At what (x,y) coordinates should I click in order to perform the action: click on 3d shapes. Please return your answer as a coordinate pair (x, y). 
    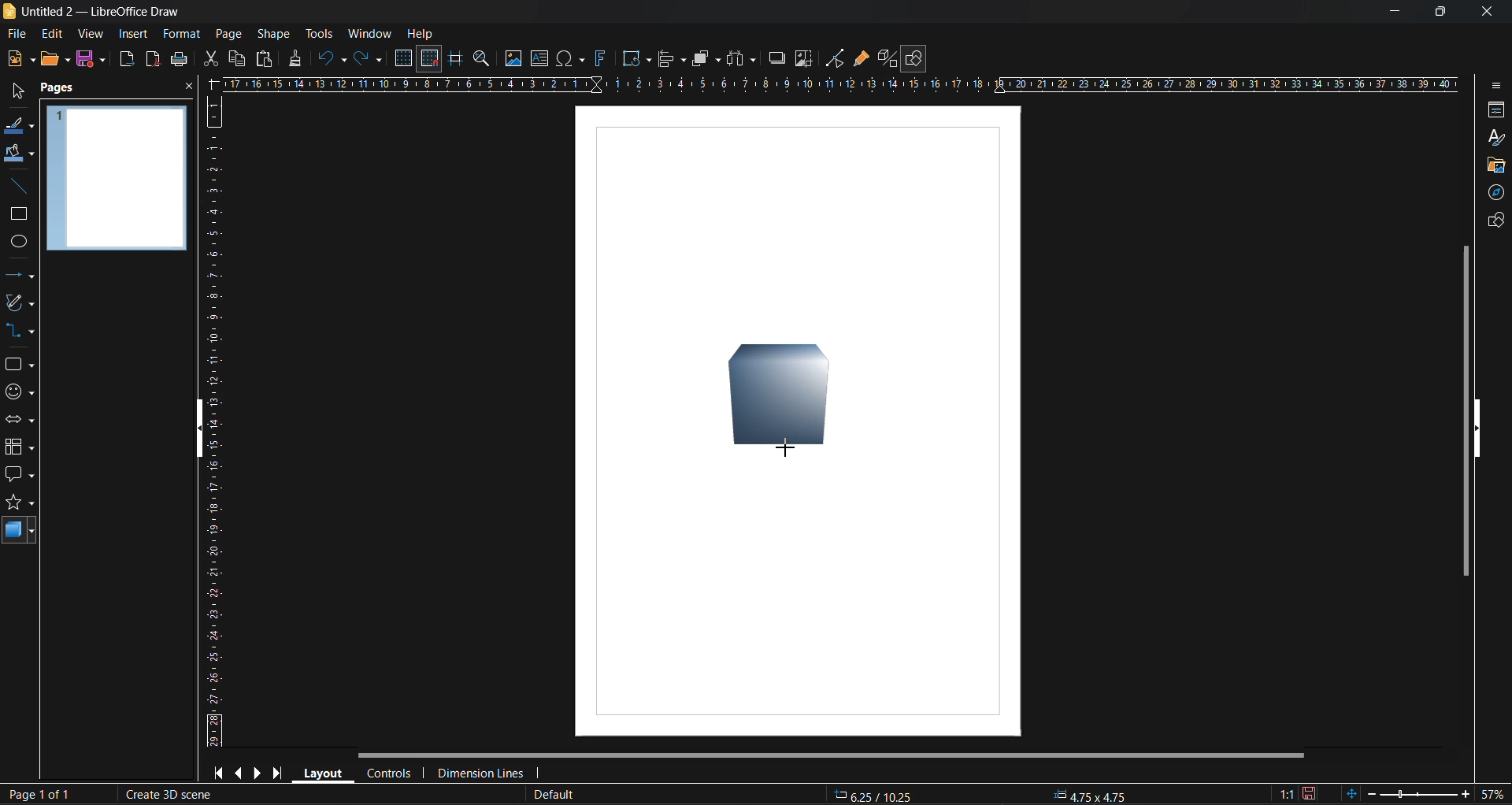
    Looking at the image, I should click on (20, 532).